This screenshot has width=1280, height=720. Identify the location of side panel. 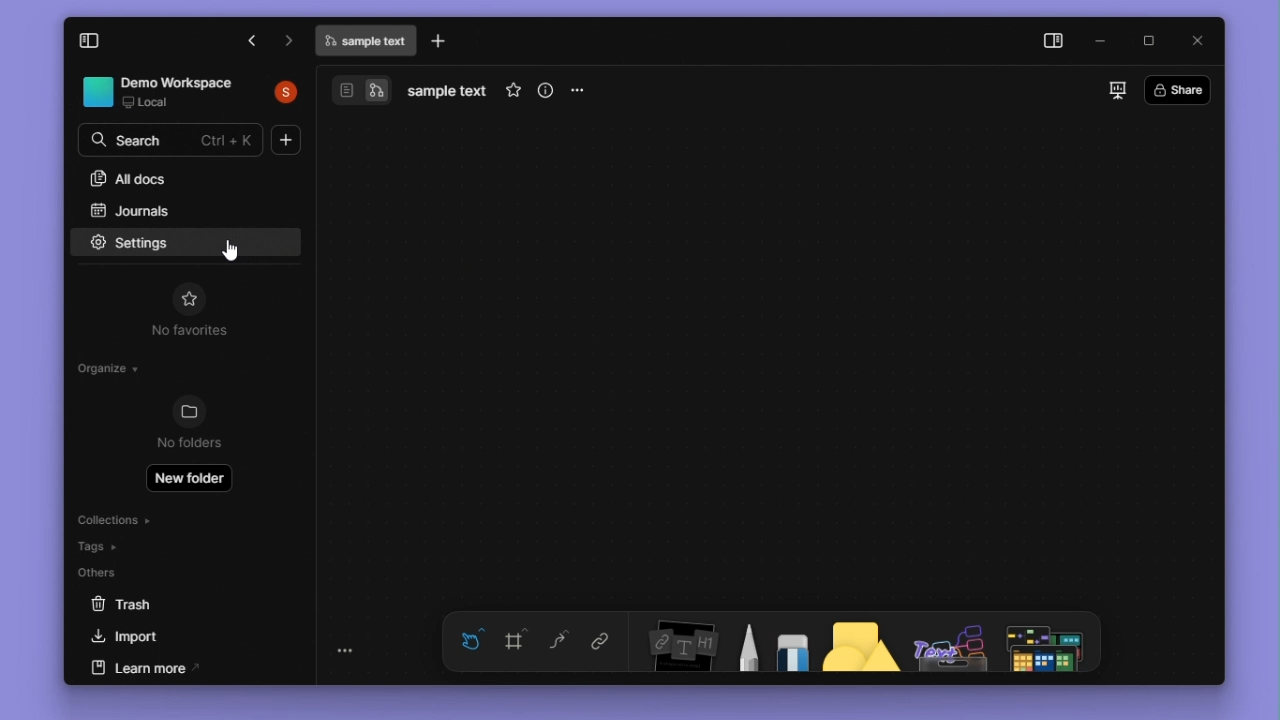
(1057, 40).